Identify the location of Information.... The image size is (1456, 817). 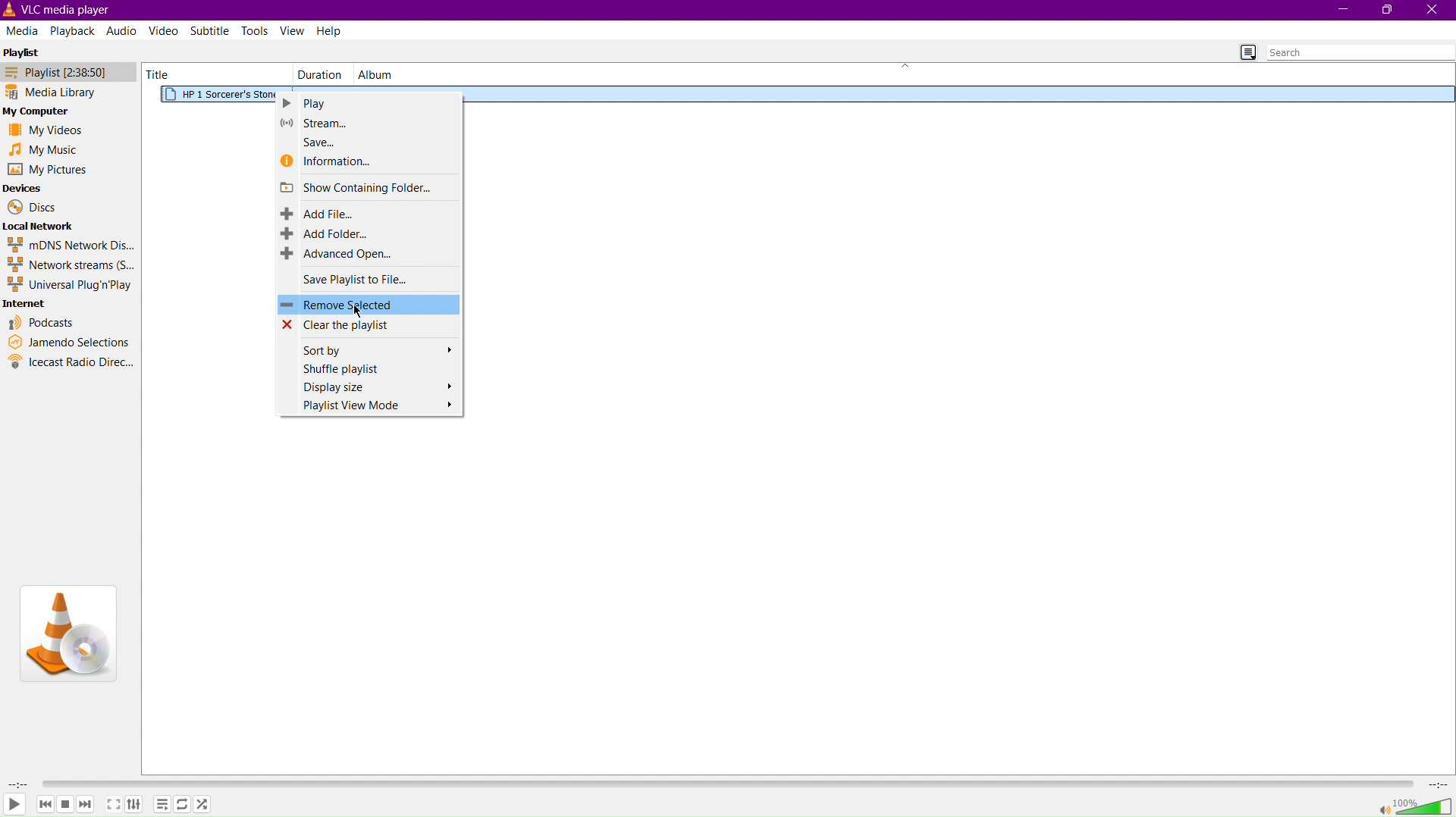
(372, 161).